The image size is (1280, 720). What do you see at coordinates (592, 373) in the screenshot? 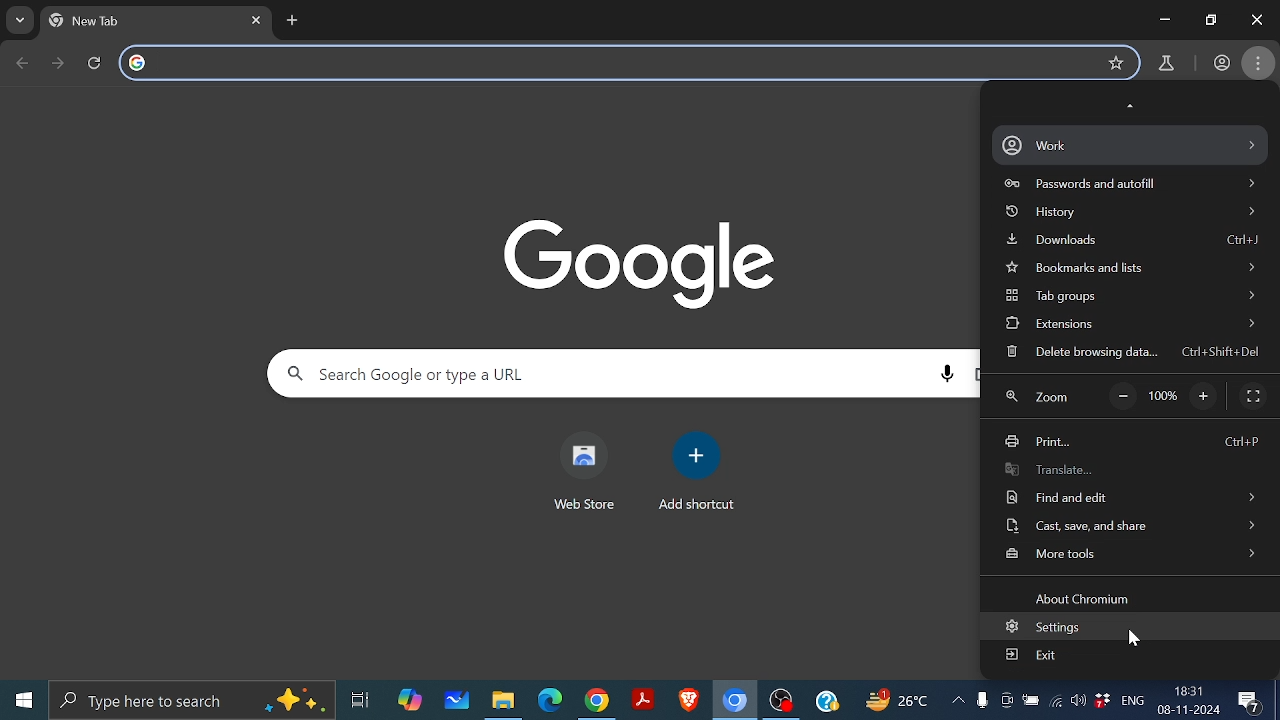
I see `Search google or type a url` at bounding box center [592, 373].